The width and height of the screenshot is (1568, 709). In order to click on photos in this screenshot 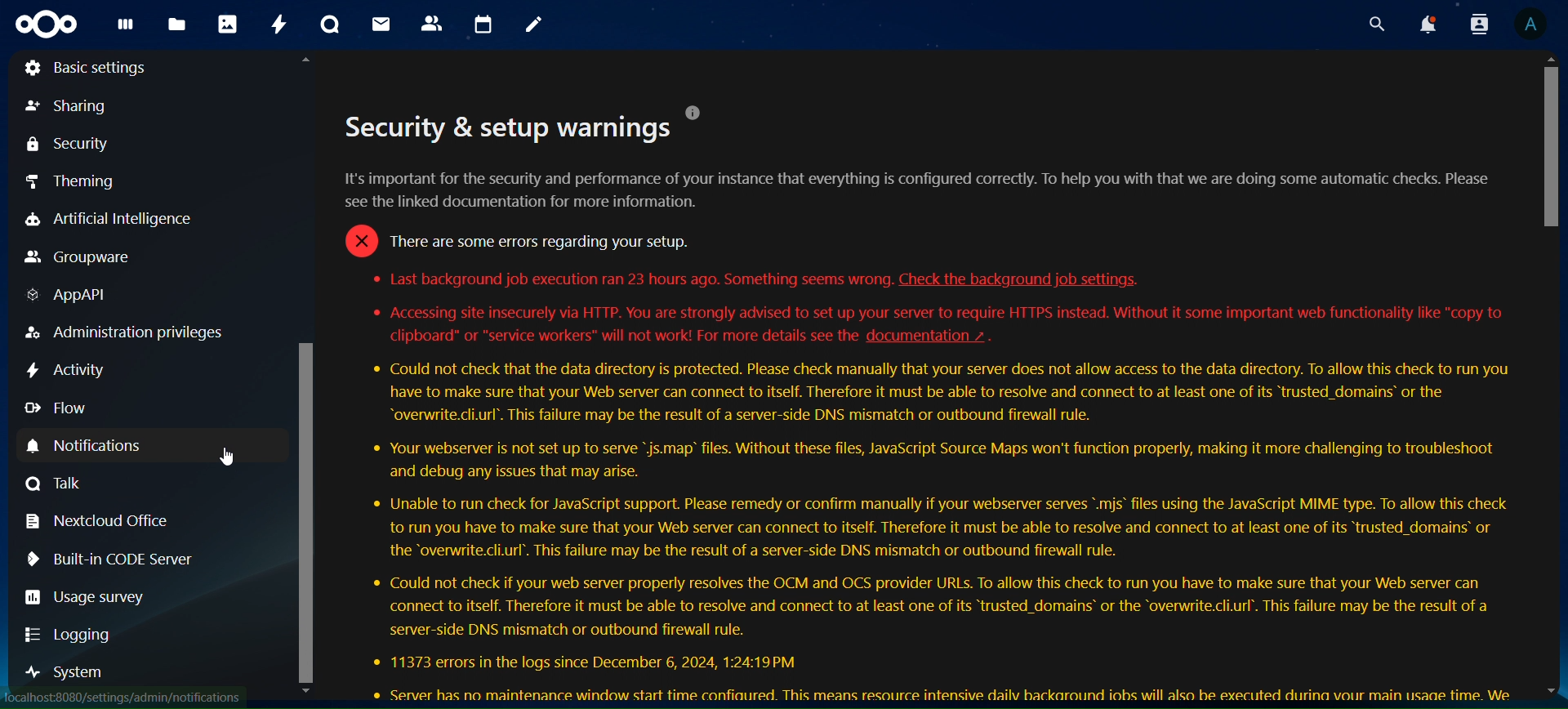, I will do `click(225, 25)`.